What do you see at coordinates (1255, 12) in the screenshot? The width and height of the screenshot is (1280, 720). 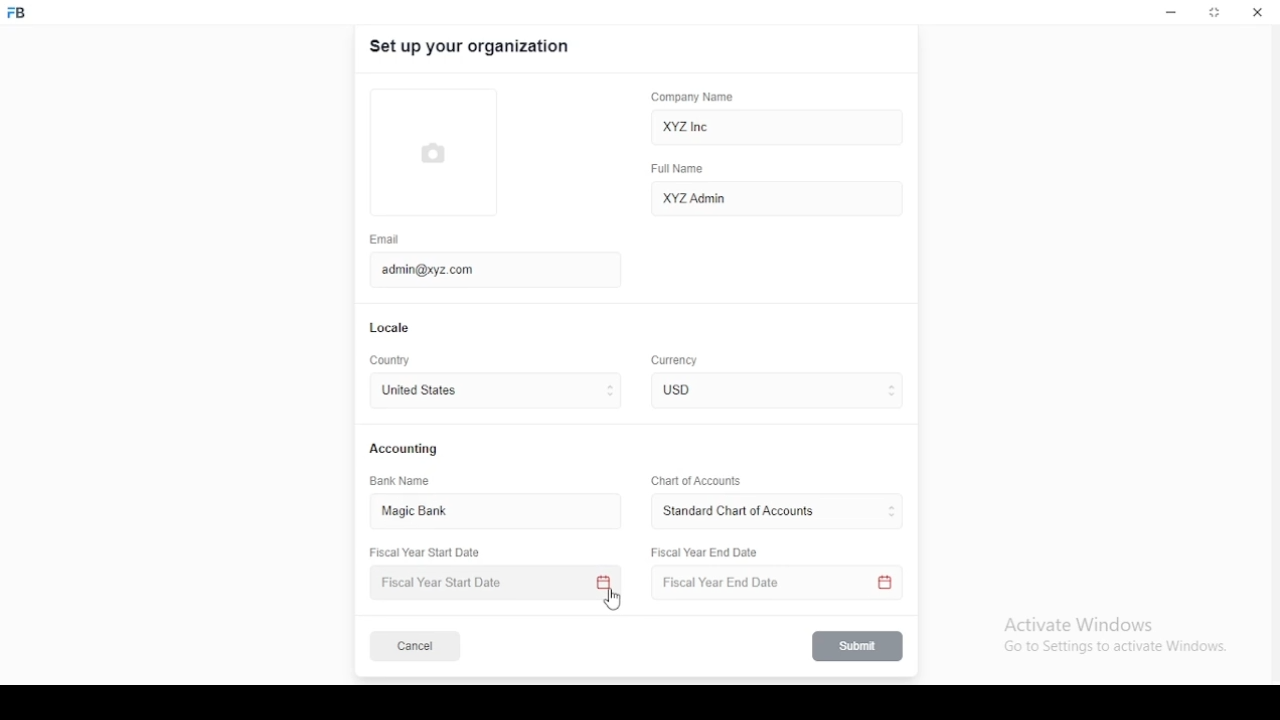 I see `close window` at bounding box center [1255, 12].